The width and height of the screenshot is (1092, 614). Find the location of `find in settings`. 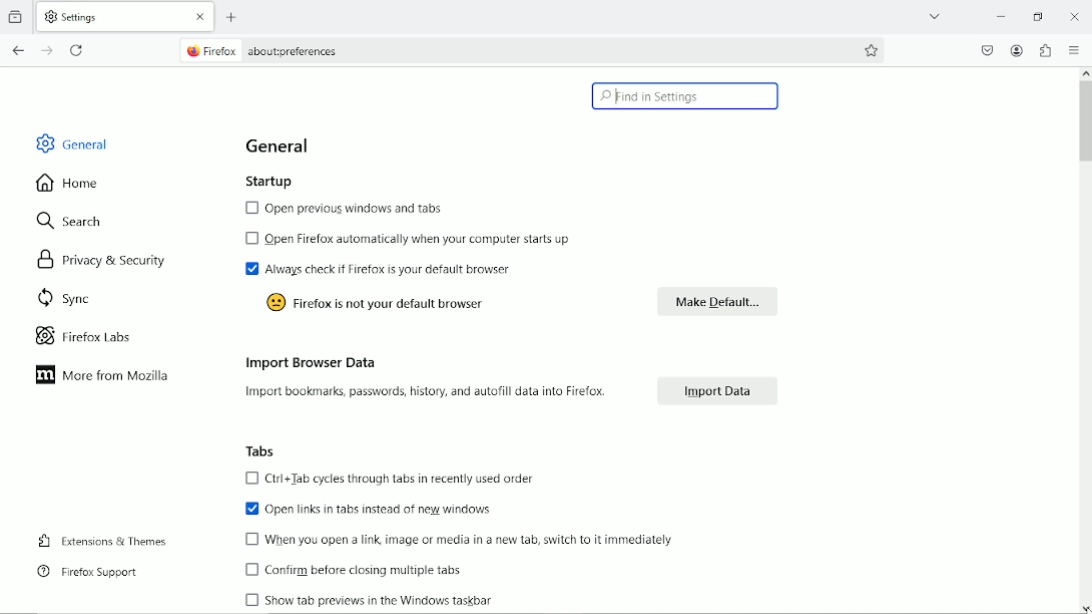

find in settings is located at coordinates (687, 96).